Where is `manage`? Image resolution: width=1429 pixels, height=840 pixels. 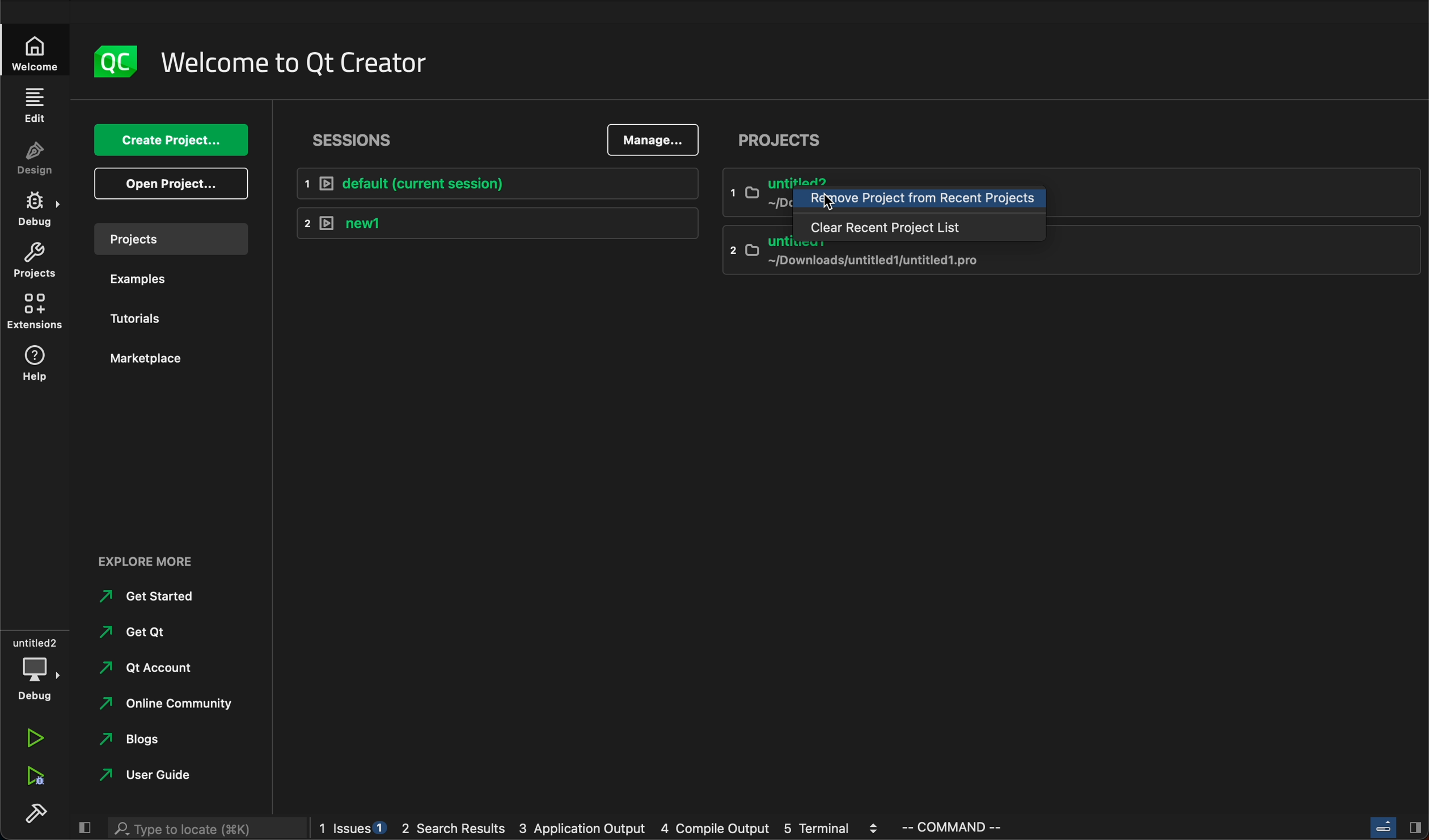 manage is located at coordinates (655, 139).